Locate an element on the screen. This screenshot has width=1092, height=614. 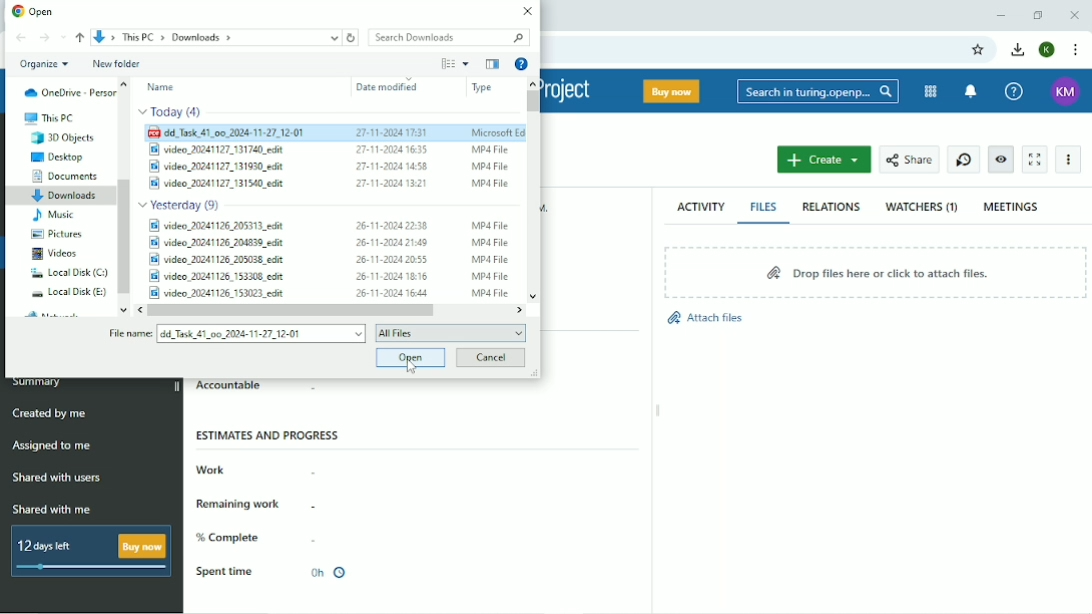
Share is located at coordinates (909, 159).